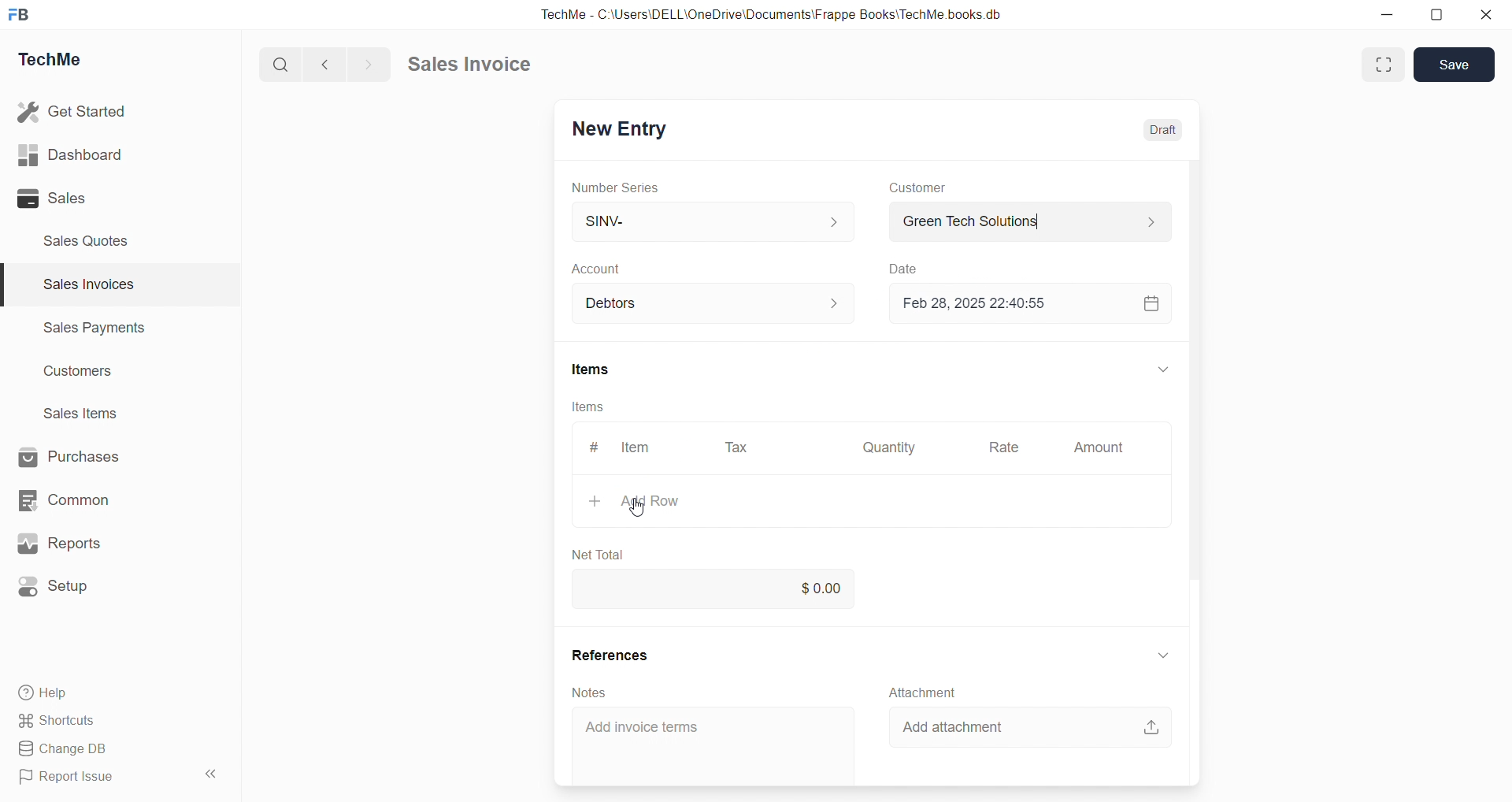  I want to click on Quantity, so click(889, 448).